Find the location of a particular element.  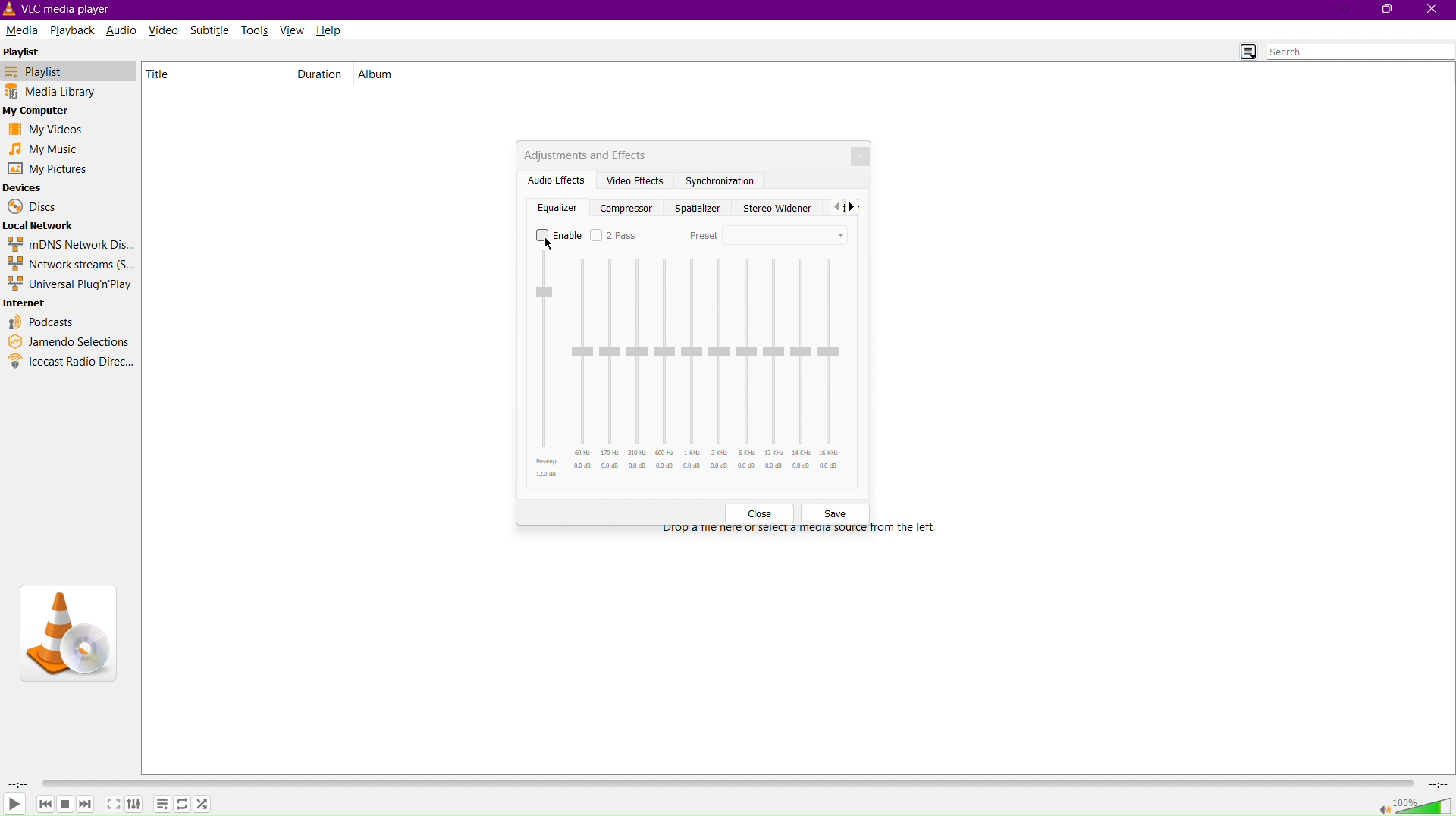

VLC Logo is located at coordinates (71, 626).